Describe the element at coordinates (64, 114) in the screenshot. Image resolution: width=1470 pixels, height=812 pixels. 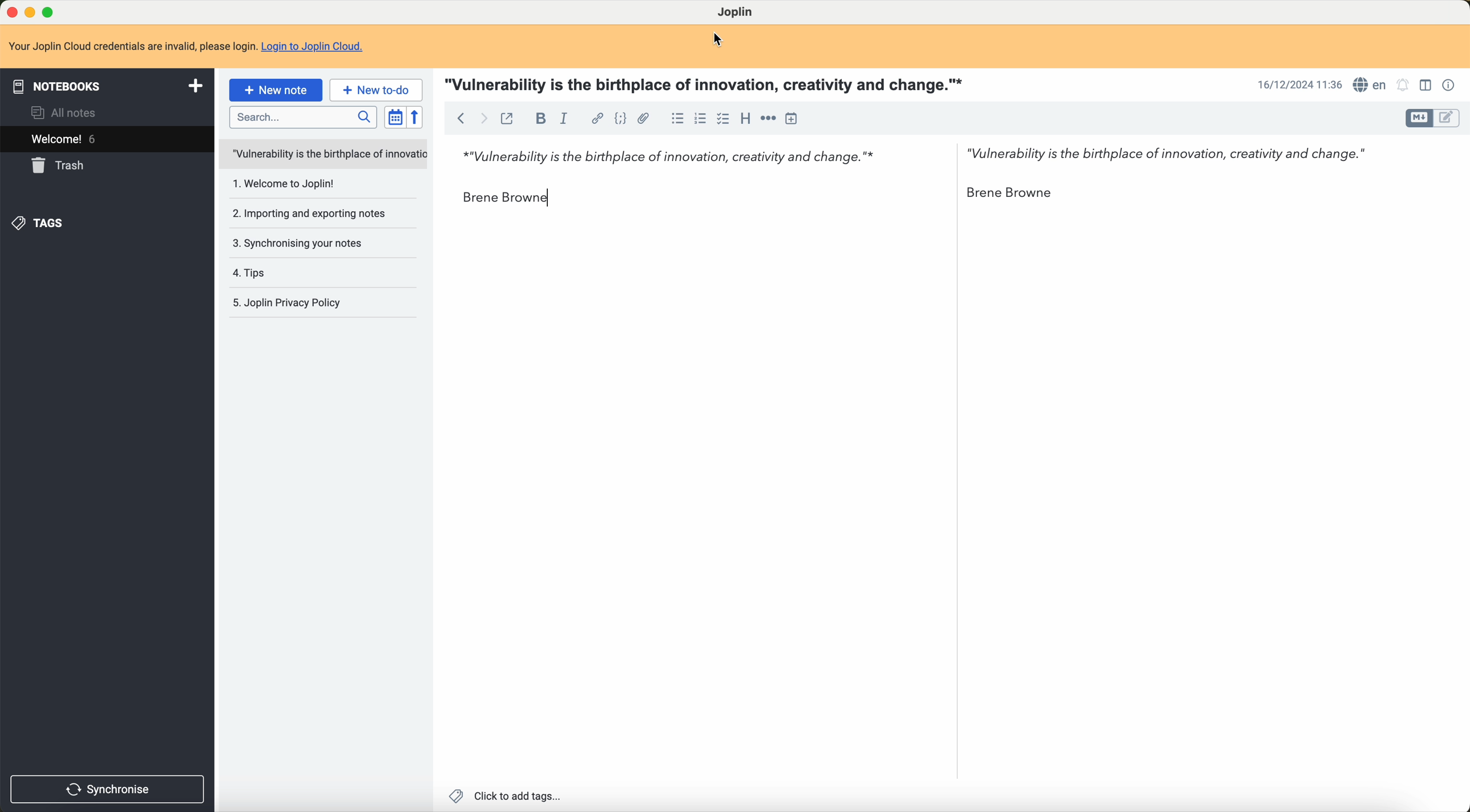
I see `all notes` at that location.